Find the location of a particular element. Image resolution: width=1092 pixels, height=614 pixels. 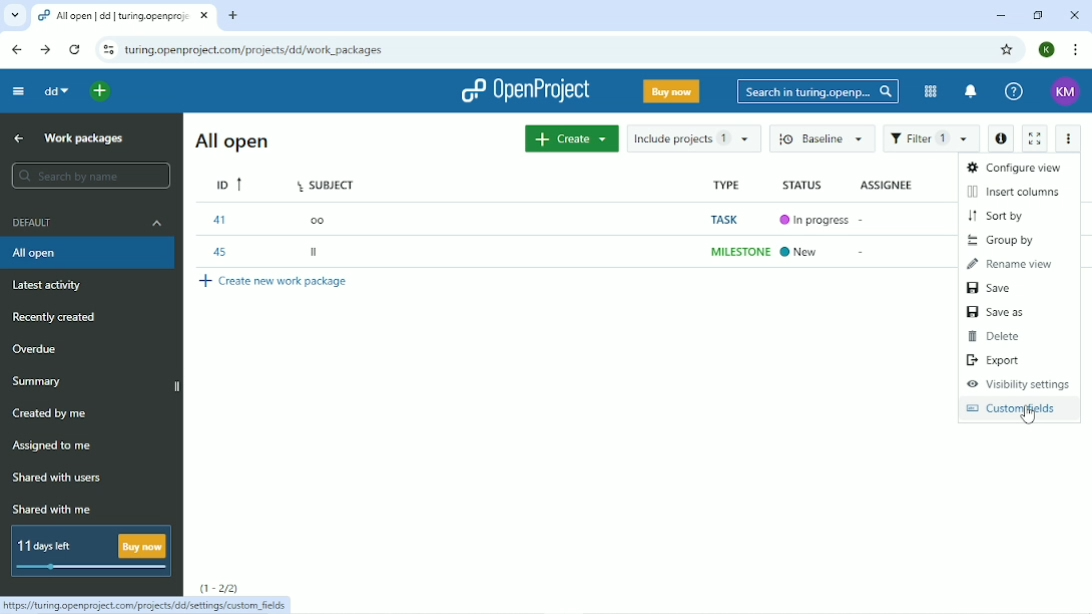

Assigned to me is located at coordinates (54, 446).